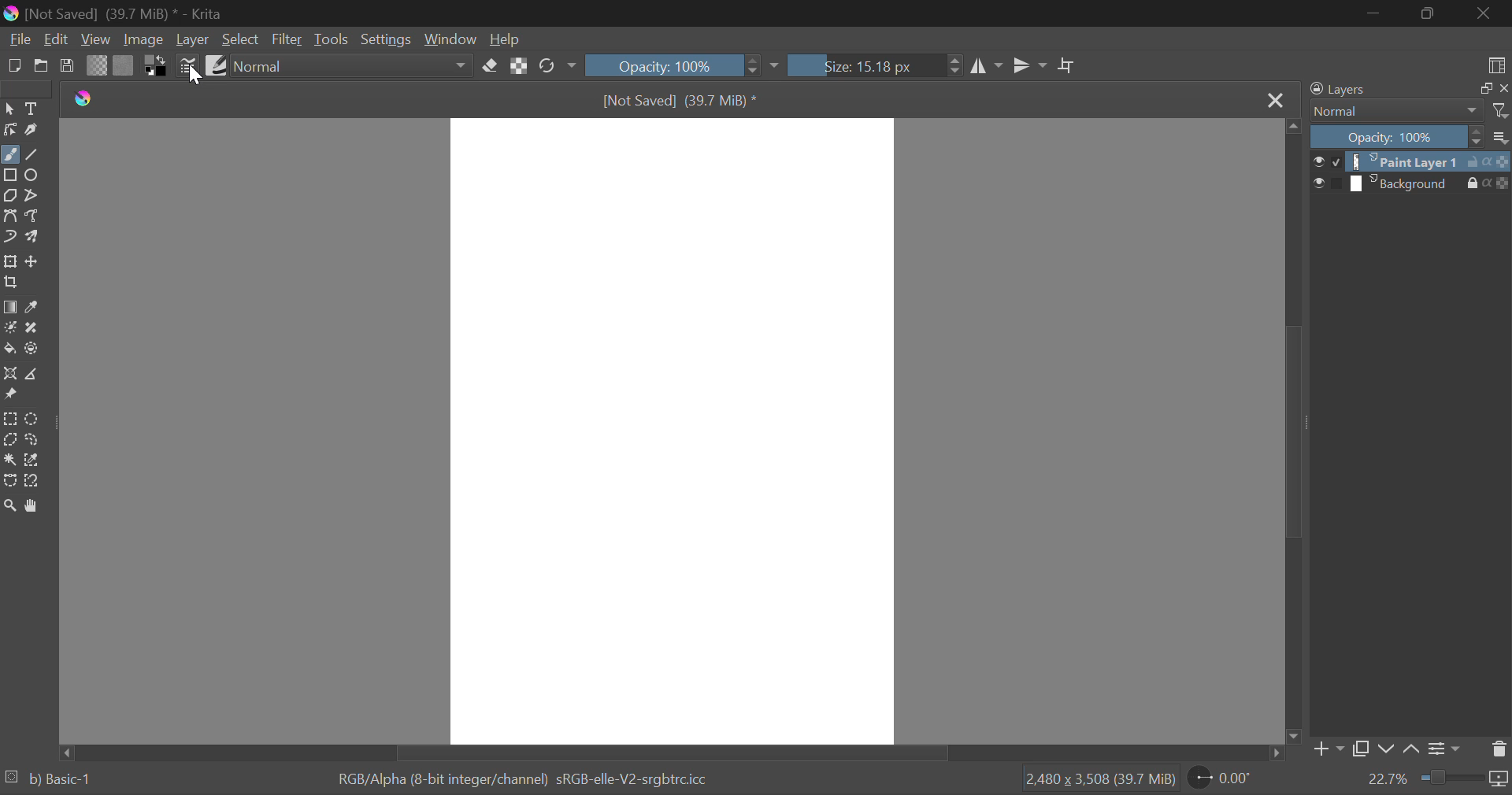 The width and height of the screenshot is (1512, 795). Describe the element at coordinates (877, 65) in the screenshot. I see `Size 15.18px` at that location.